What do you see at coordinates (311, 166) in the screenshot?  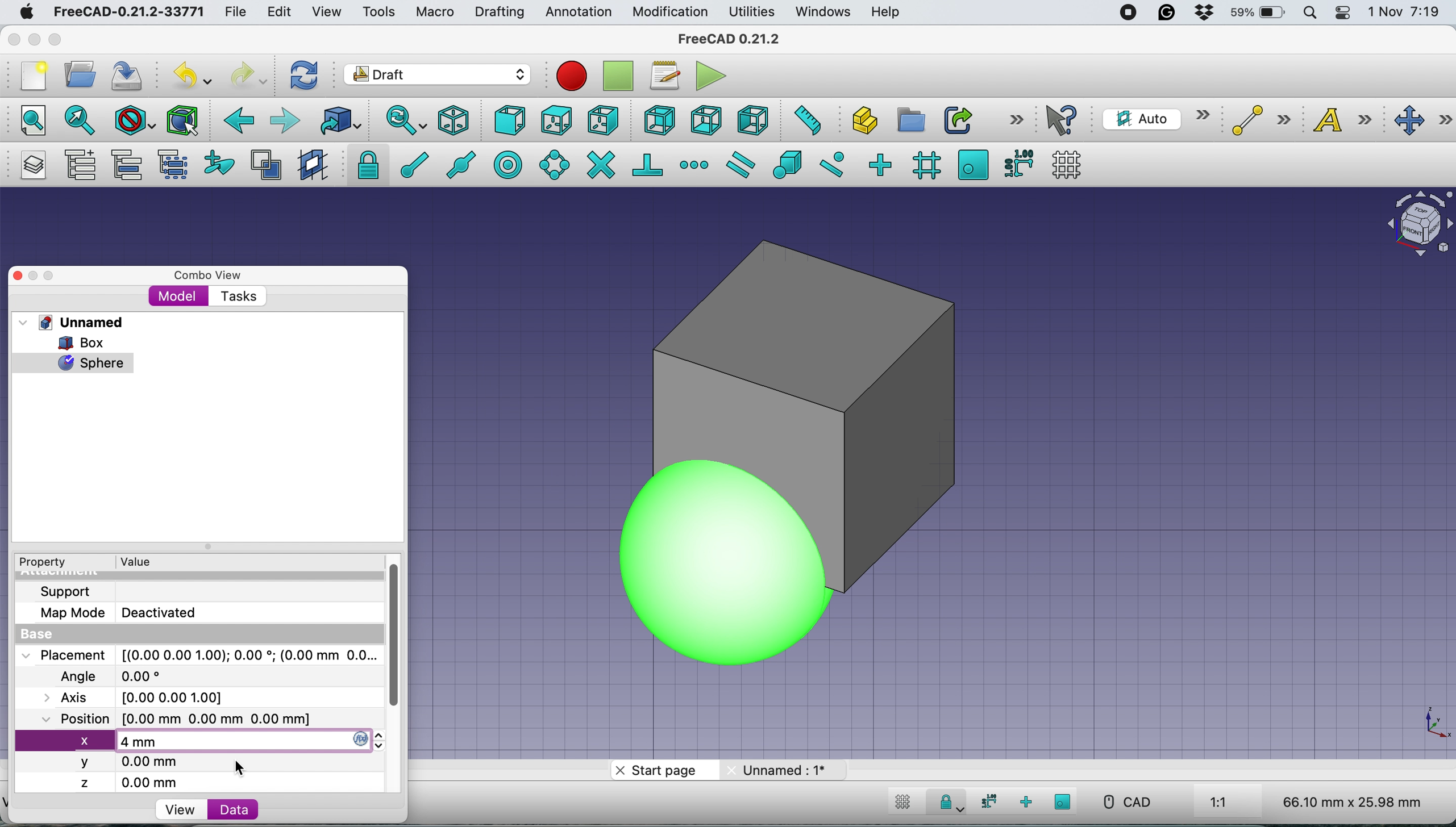 I see `change working plane proxy` at bounding box center [311, 166].